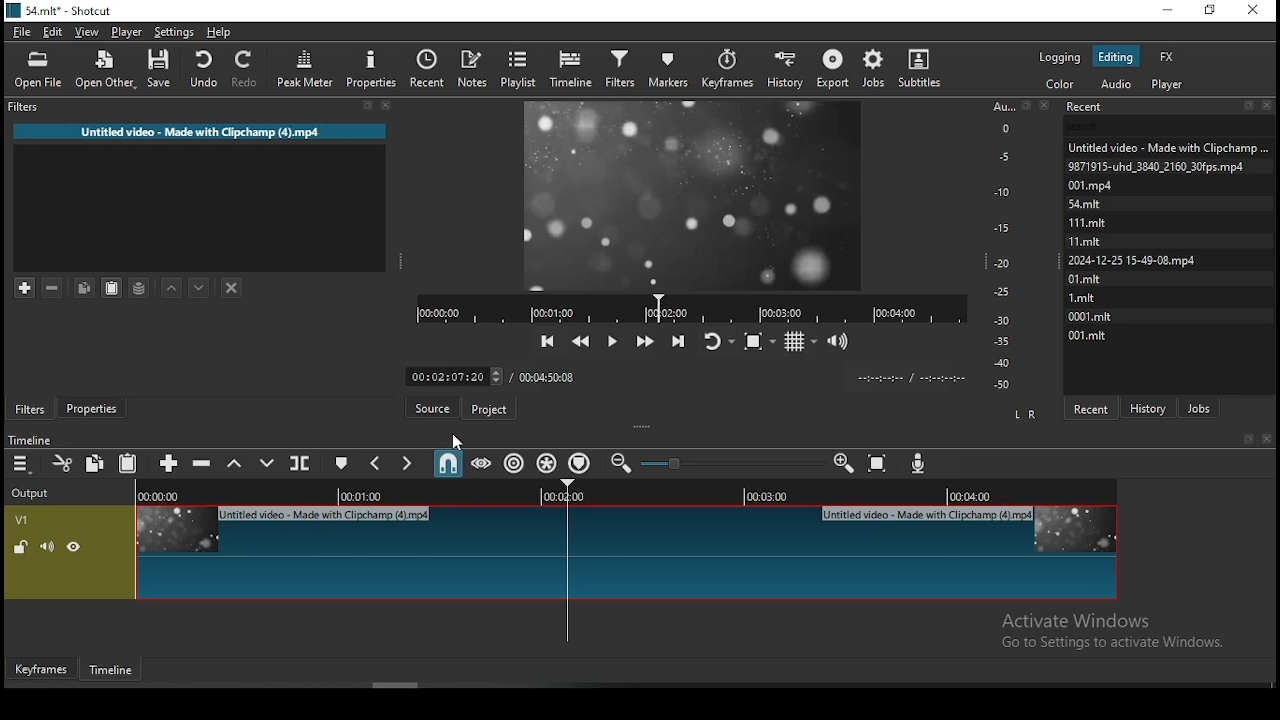  I want to click on timeline, so click(31, 440).